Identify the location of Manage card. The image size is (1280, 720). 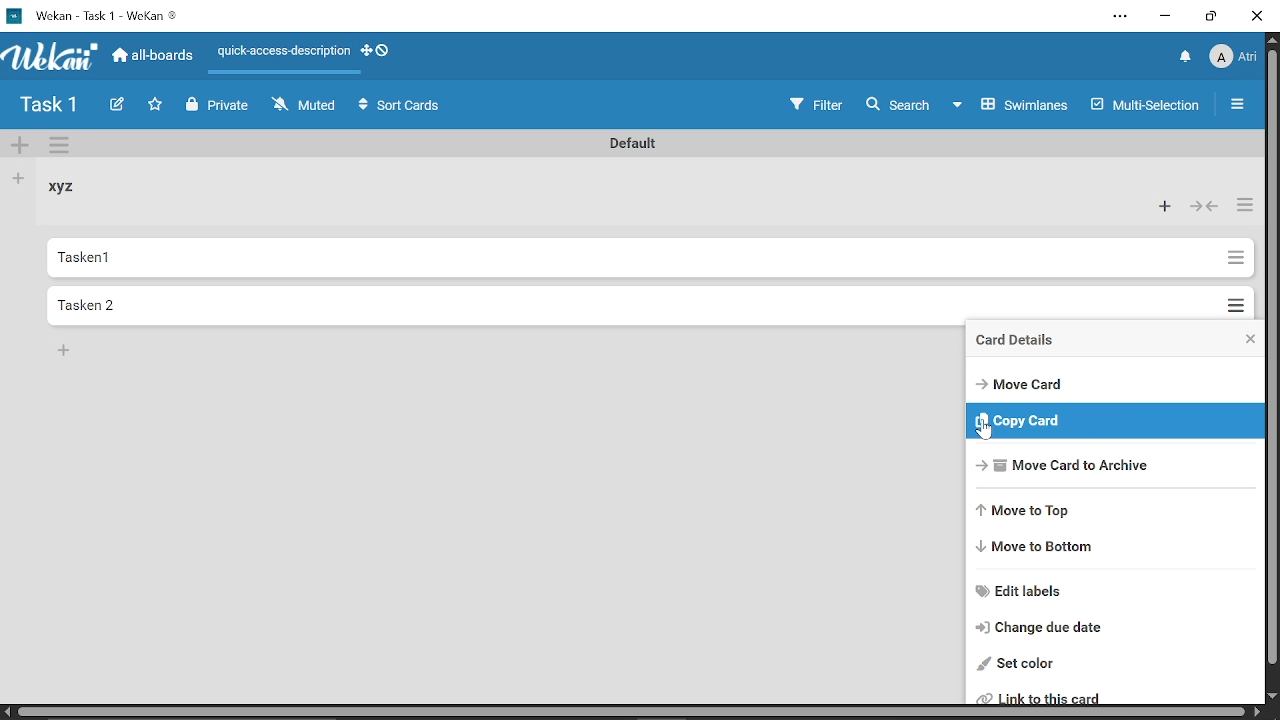
(1234, 258).